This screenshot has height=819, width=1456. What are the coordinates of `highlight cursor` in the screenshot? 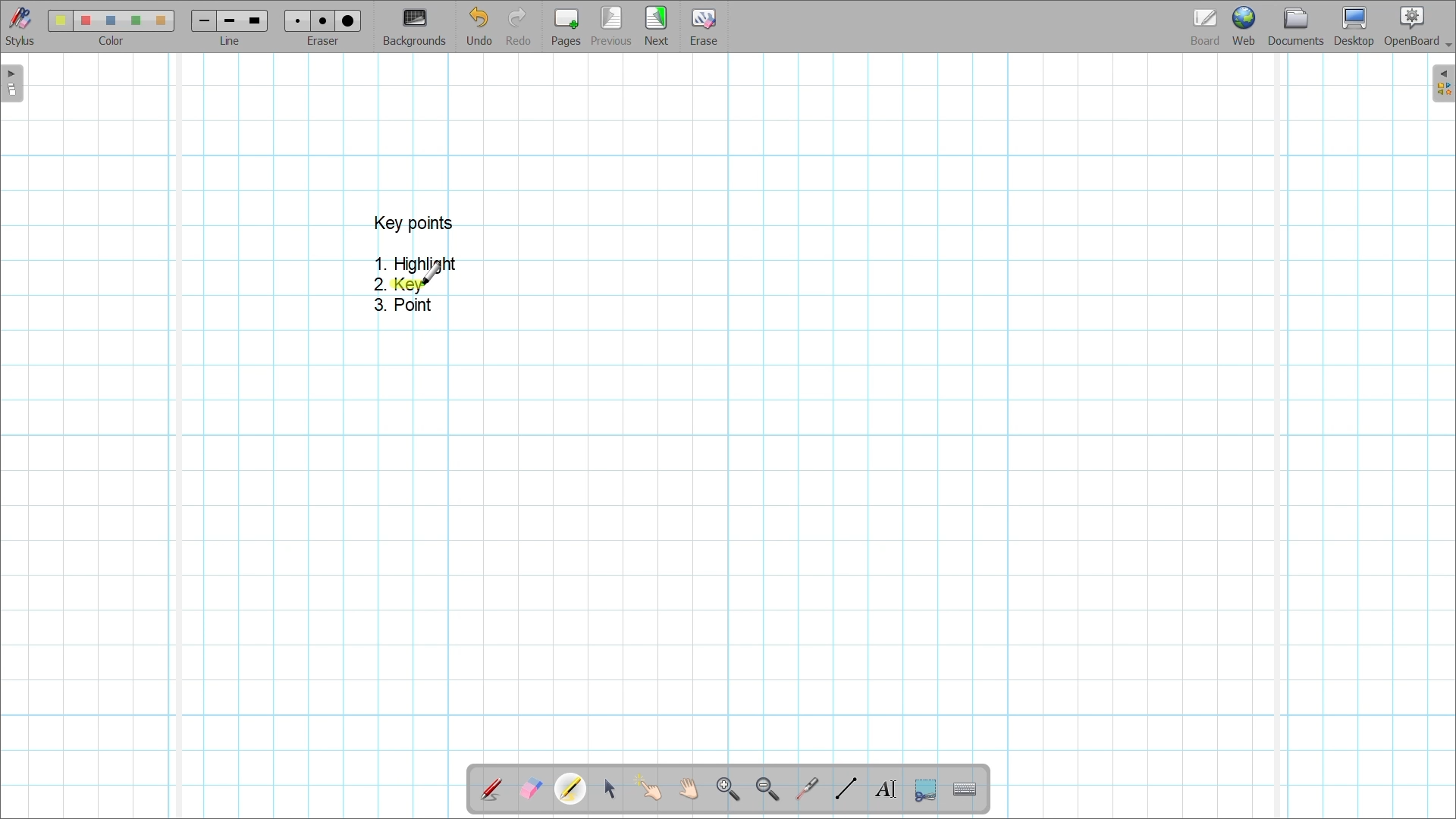 It's located at (432, 272).